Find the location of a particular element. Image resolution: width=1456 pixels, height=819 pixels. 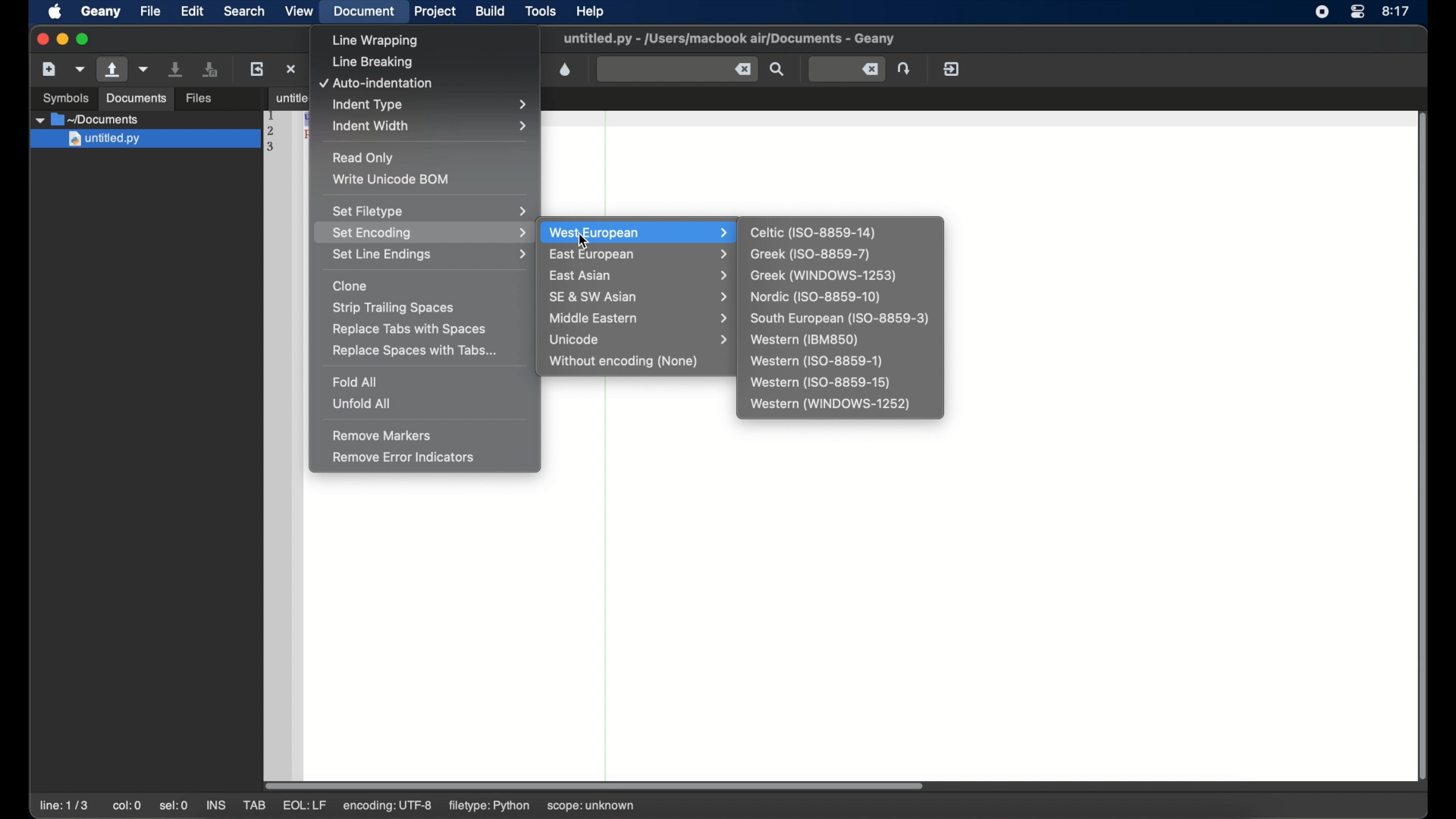

jump to entered line number is located at coordinates (848, 69).